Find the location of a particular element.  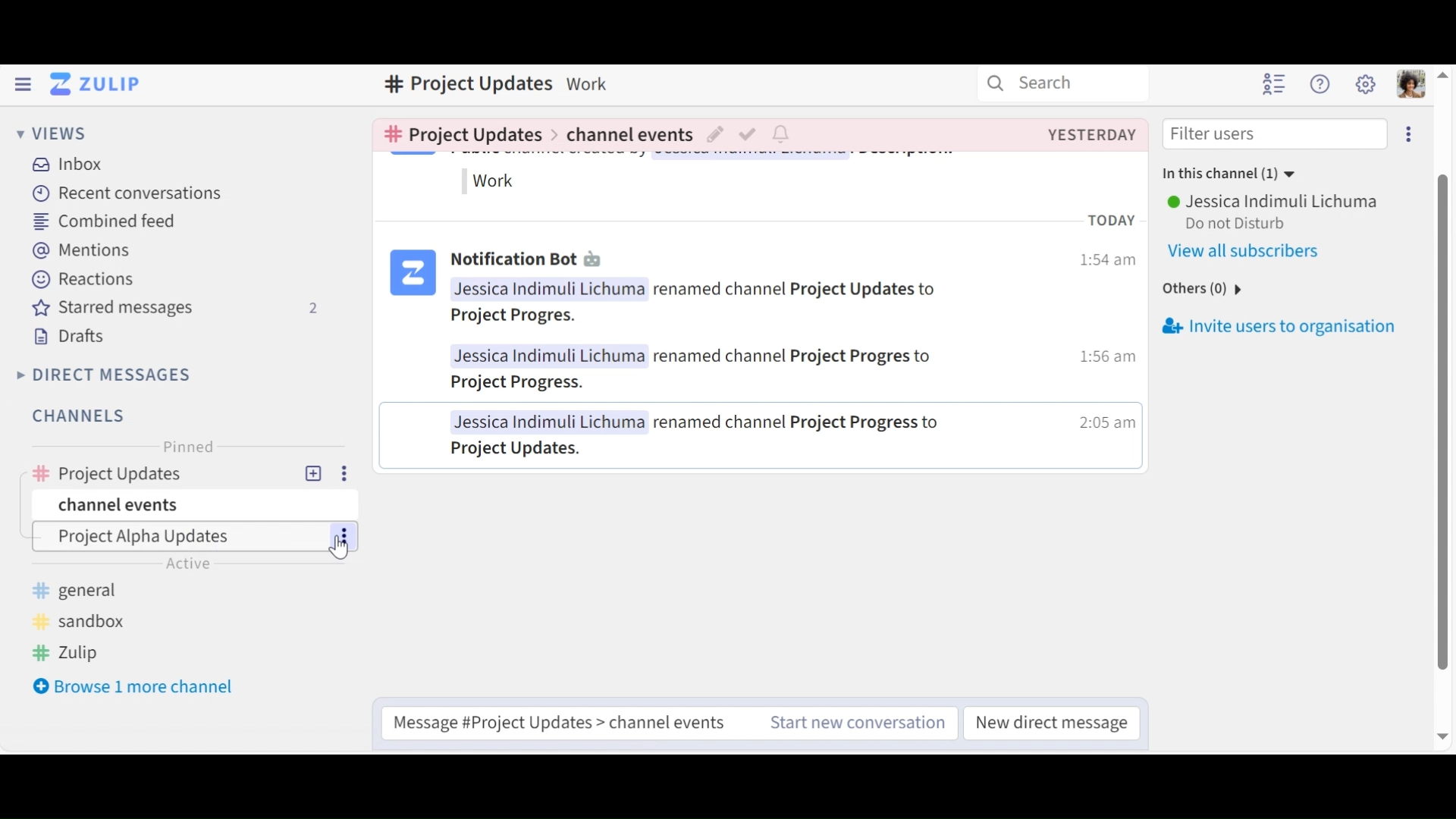

Filter users is located at coordinates (1276, 134).